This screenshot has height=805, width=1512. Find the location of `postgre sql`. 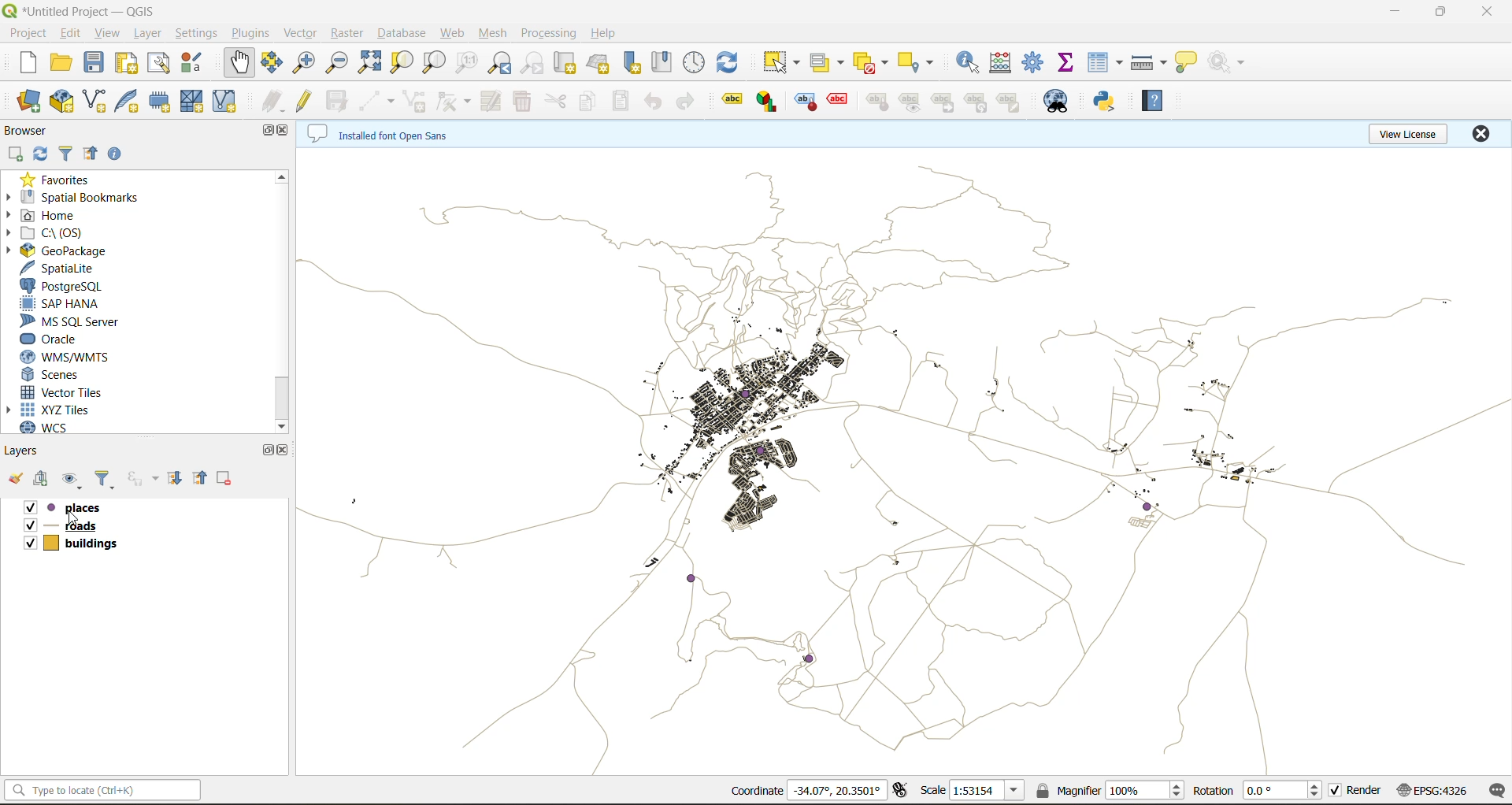

postgre sql is located at coordinates (69, 285).